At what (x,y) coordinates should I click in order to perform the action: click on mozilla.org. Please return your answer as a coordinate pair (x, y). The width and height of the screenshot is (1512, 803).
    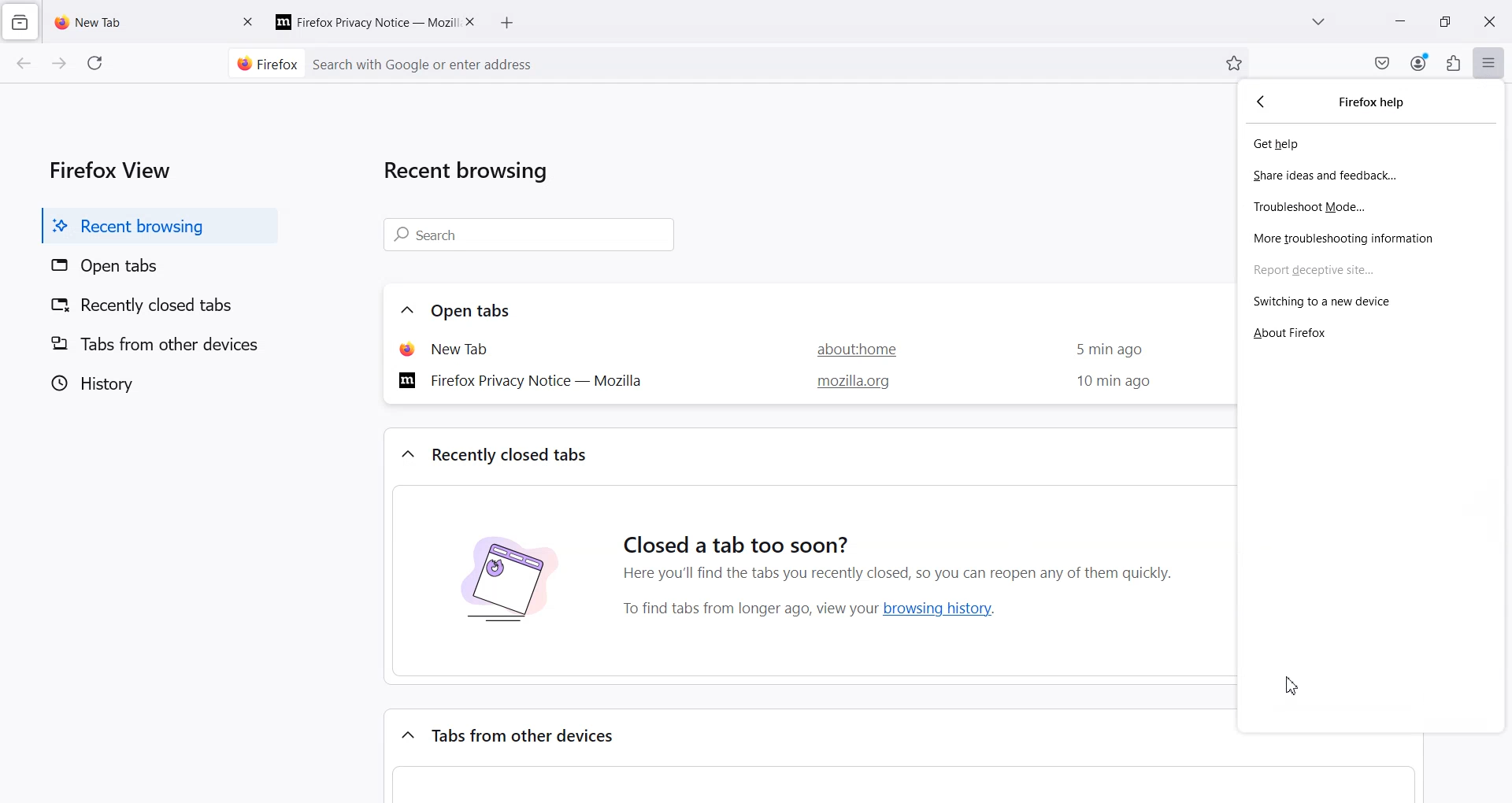
    Looking at the image, I should click on (849, 383).